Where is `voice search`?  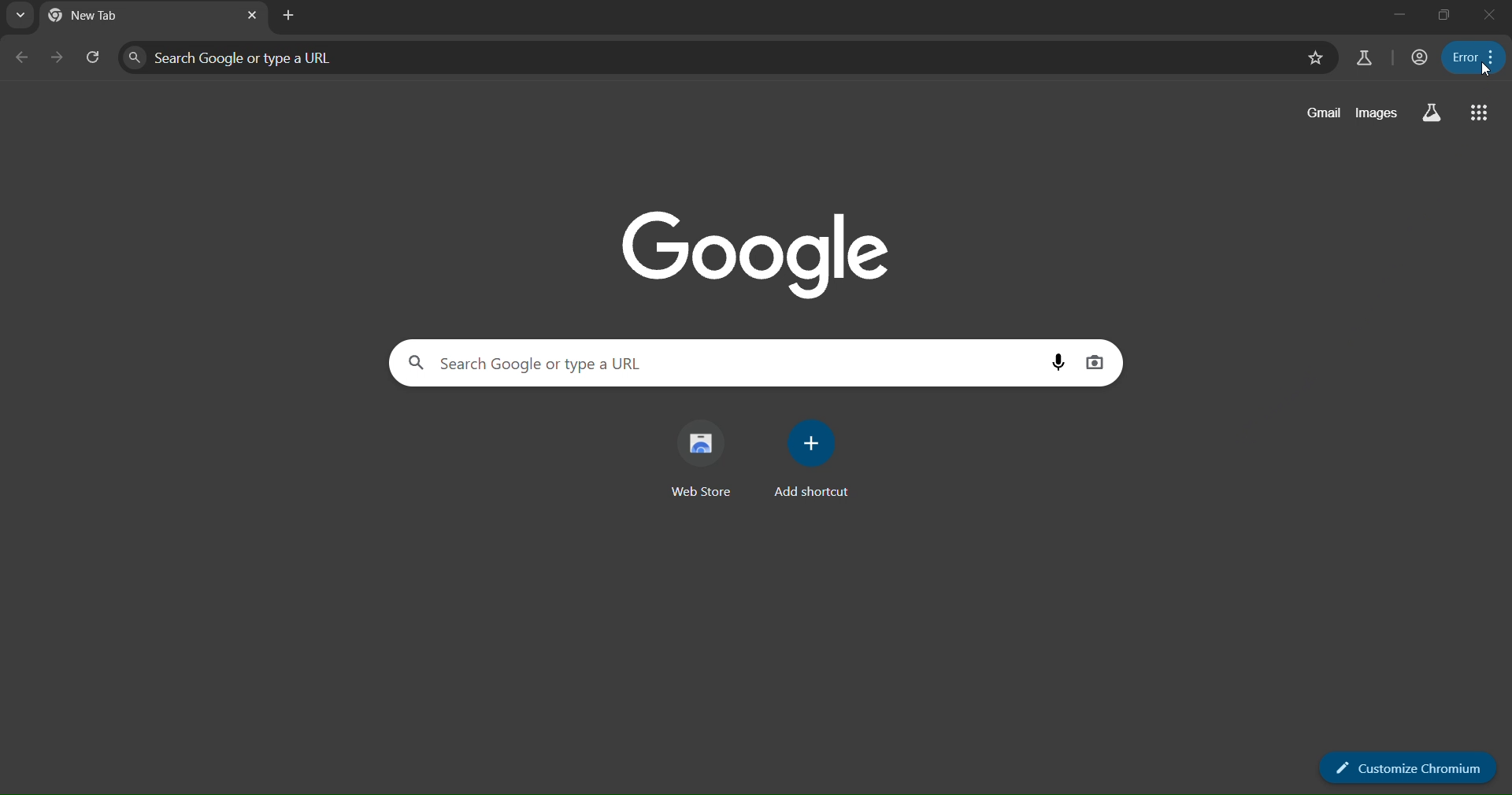 voice search is located at coordinates (1060, 362).